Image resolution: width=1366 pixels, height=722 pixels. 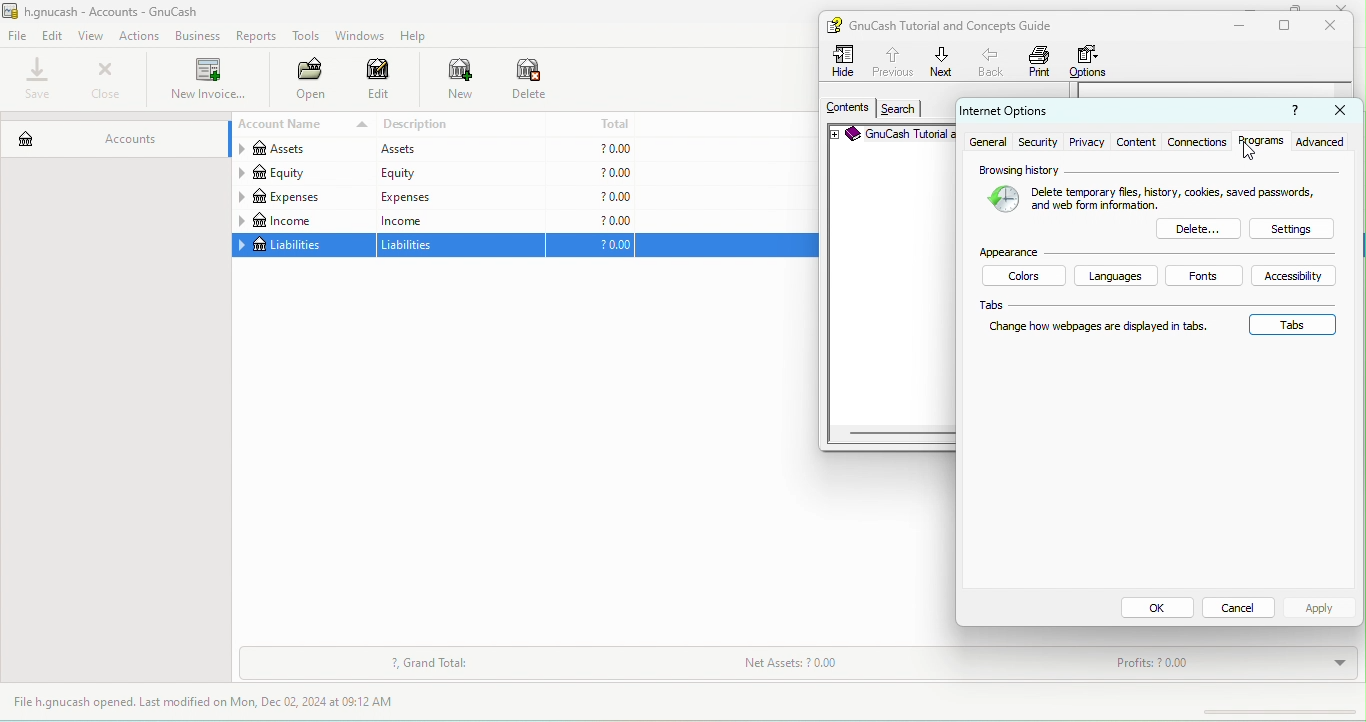 I want to click on windows, so click(x=358, y=36).